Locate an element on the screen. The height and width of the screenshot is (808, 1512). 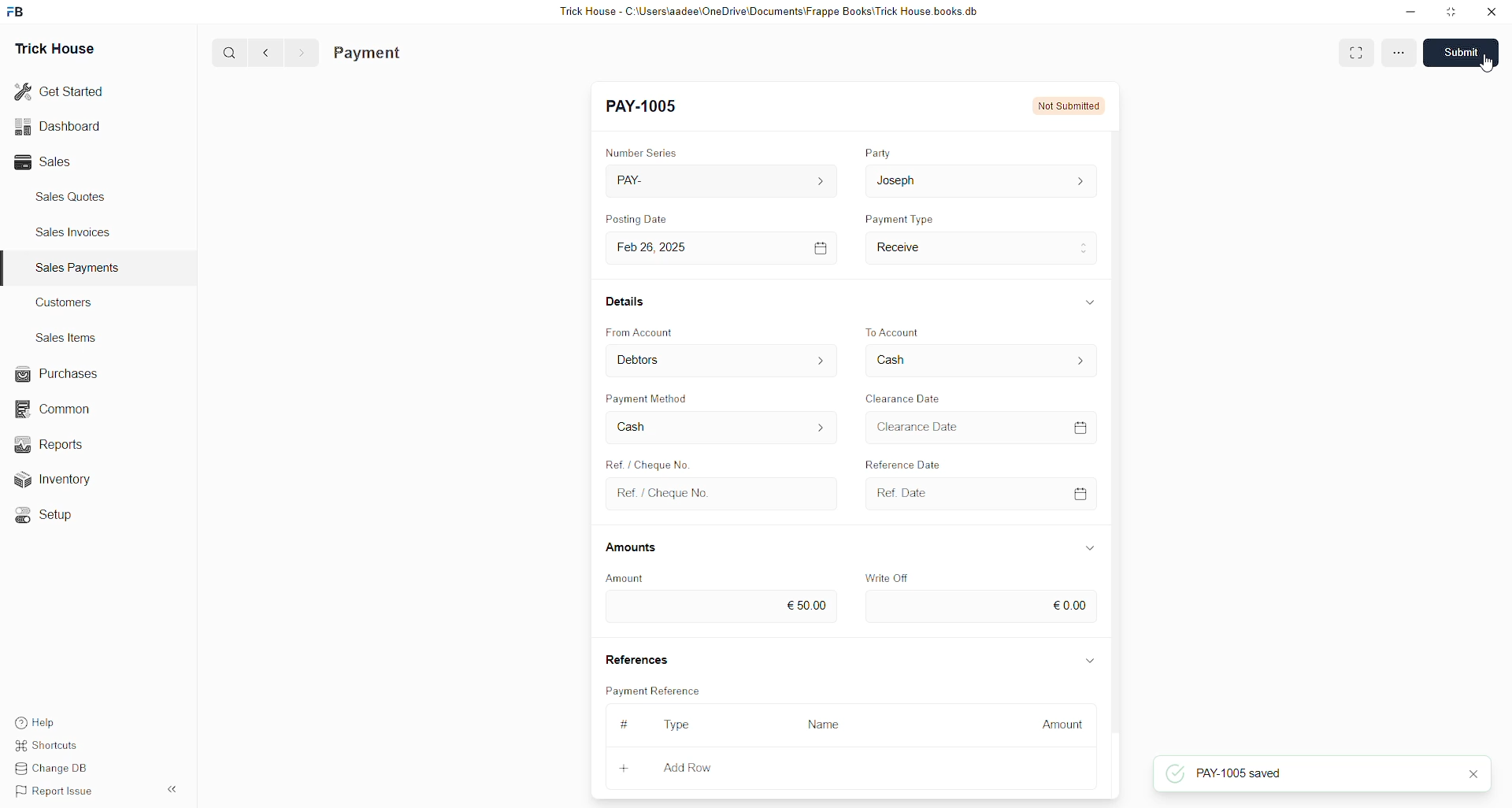
Sales is located at coordinates (47, 162).